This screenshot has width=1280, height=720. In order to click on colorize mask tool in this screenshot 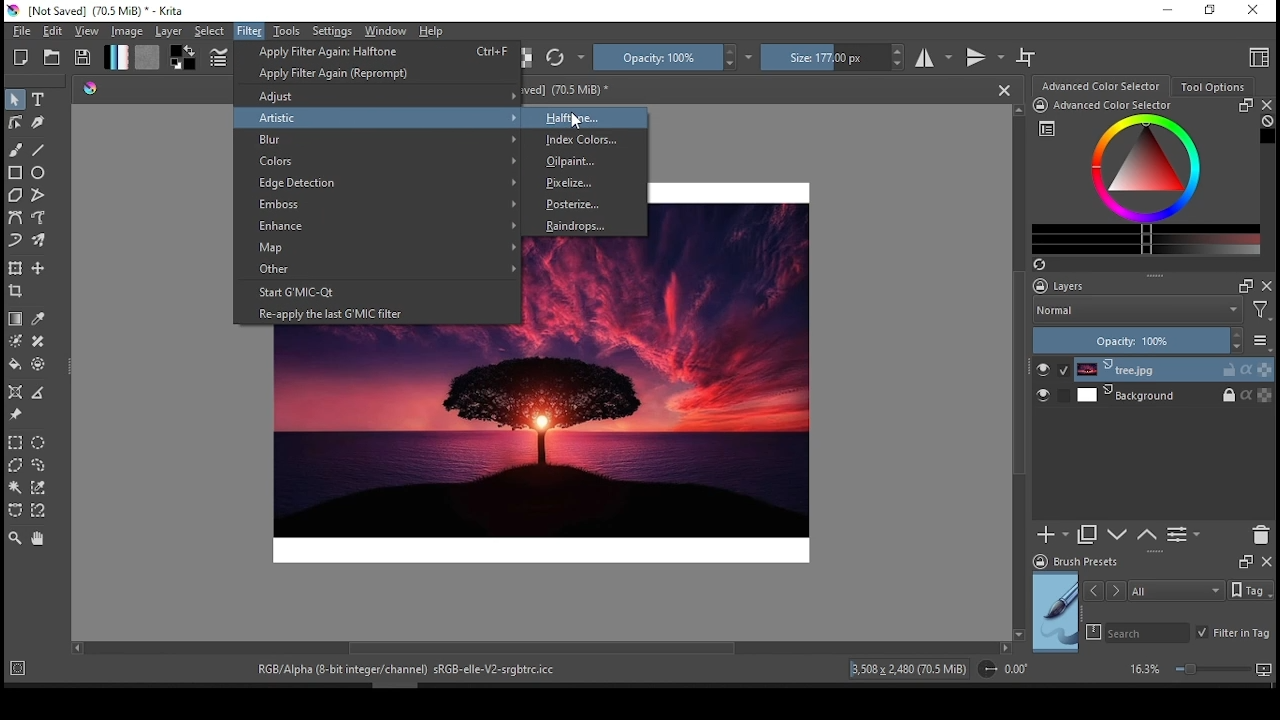, I will do `click(16, 341)`.